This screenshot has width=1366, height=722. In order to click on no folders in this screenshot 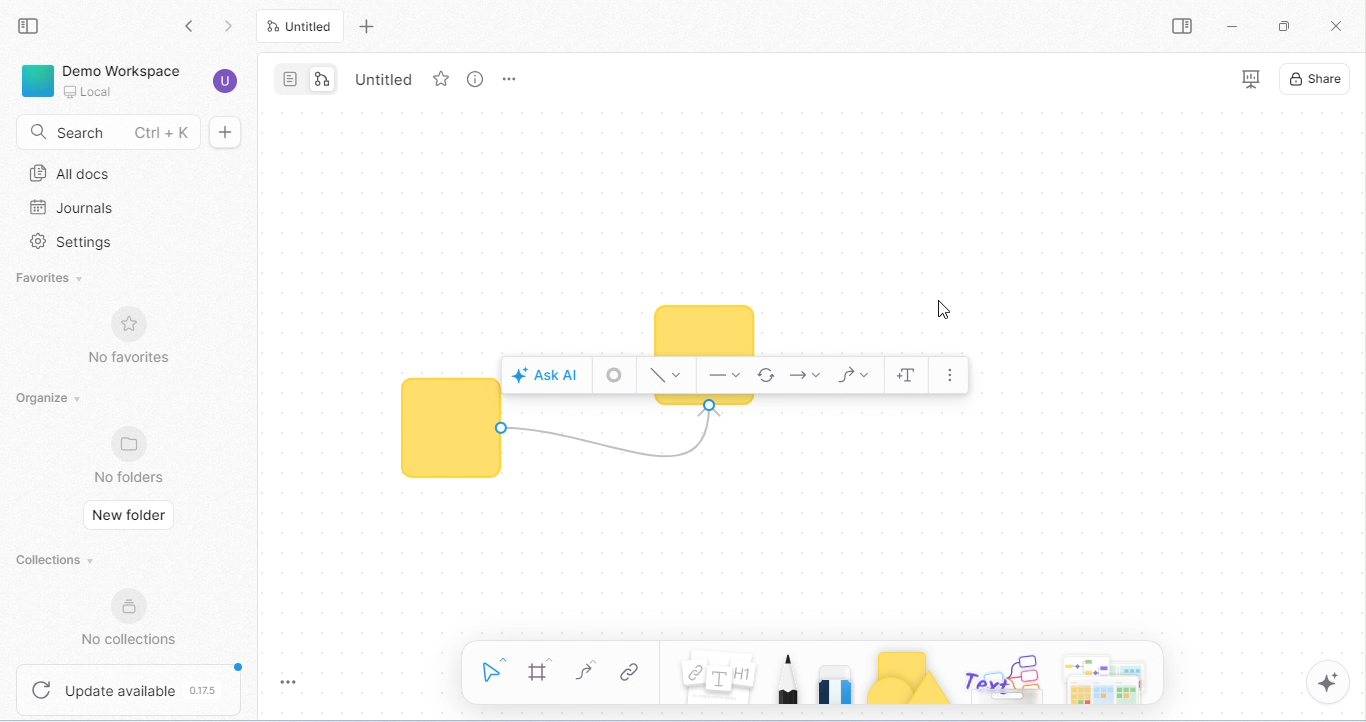, I will do `click(132, 455)`.